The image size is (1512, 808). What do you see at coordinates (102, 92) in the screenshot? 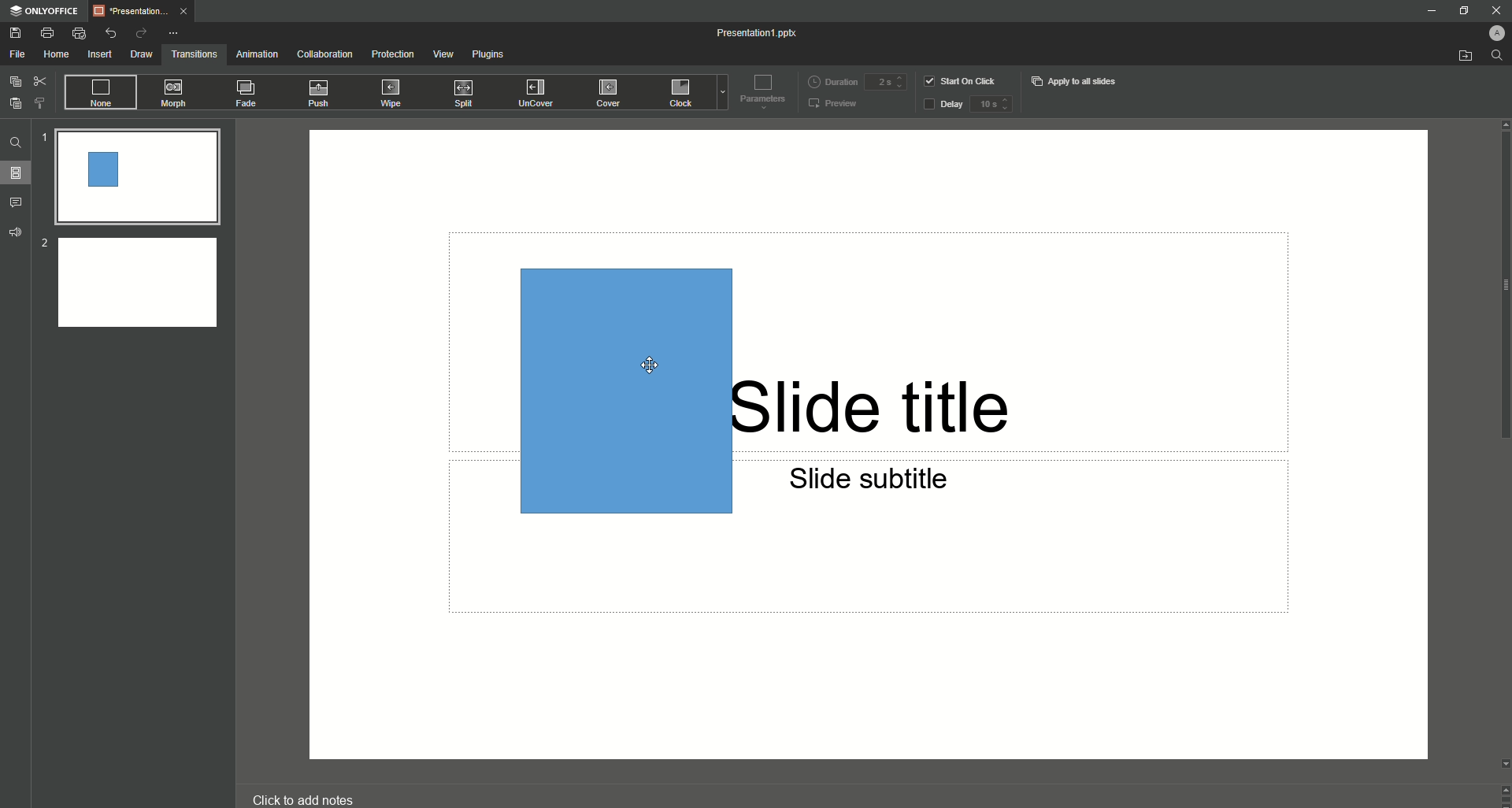
I see `None` at bounding box center [102, 92].